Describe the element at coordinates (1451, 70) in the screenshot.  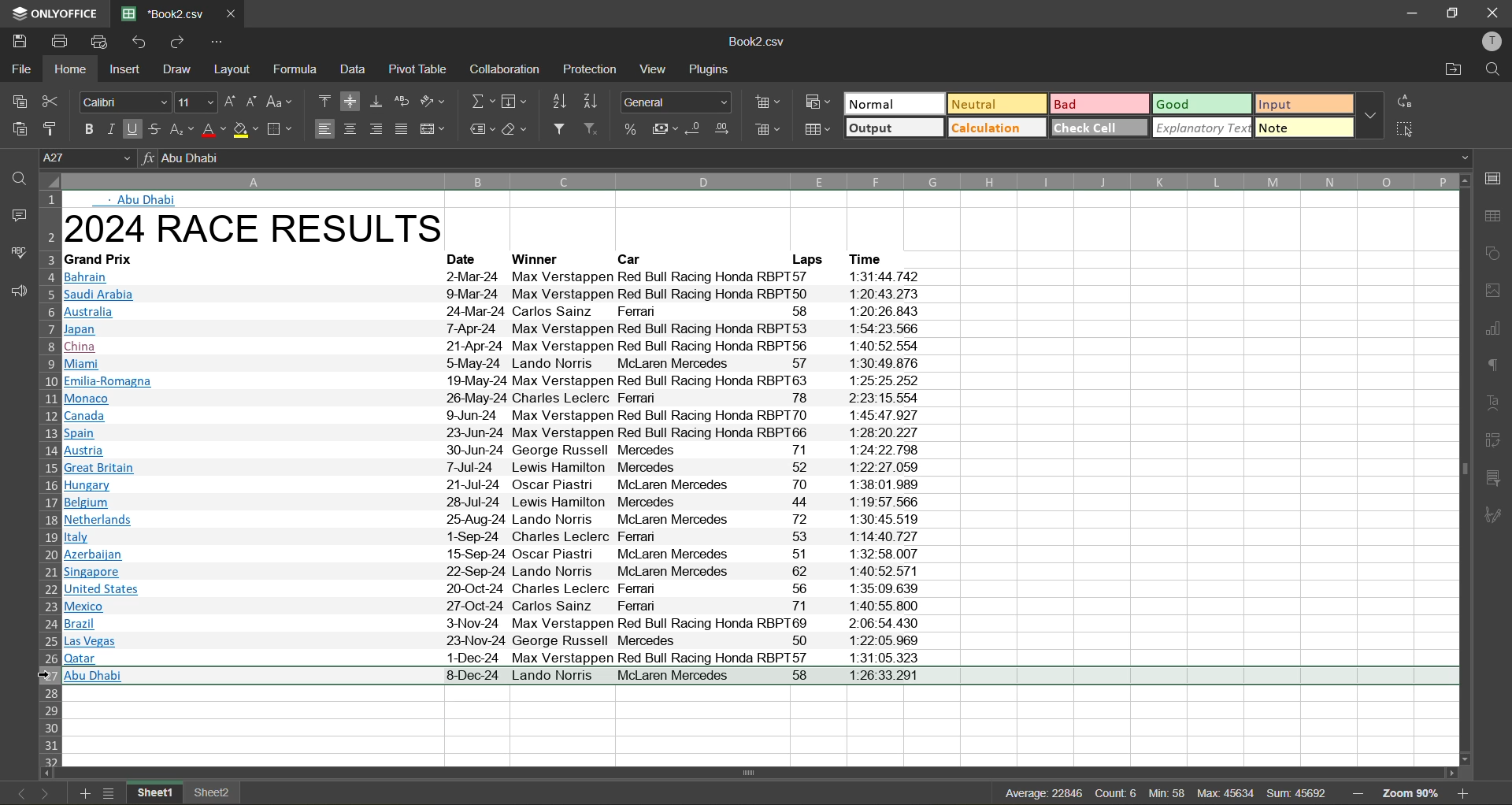
I see `open location` at that location.